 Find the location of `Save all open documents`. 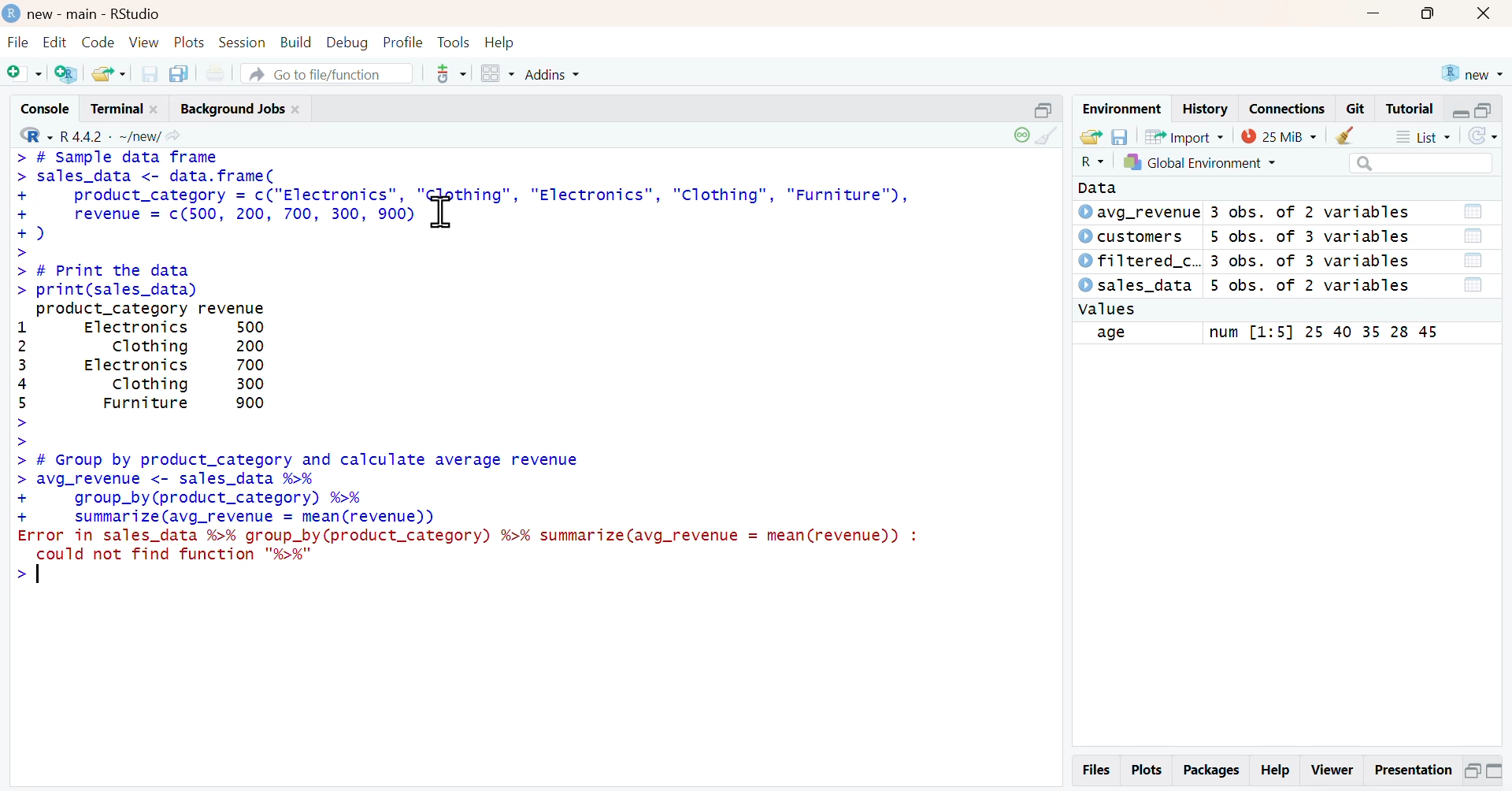

Save all open documents is located at coordinates (180, 74).